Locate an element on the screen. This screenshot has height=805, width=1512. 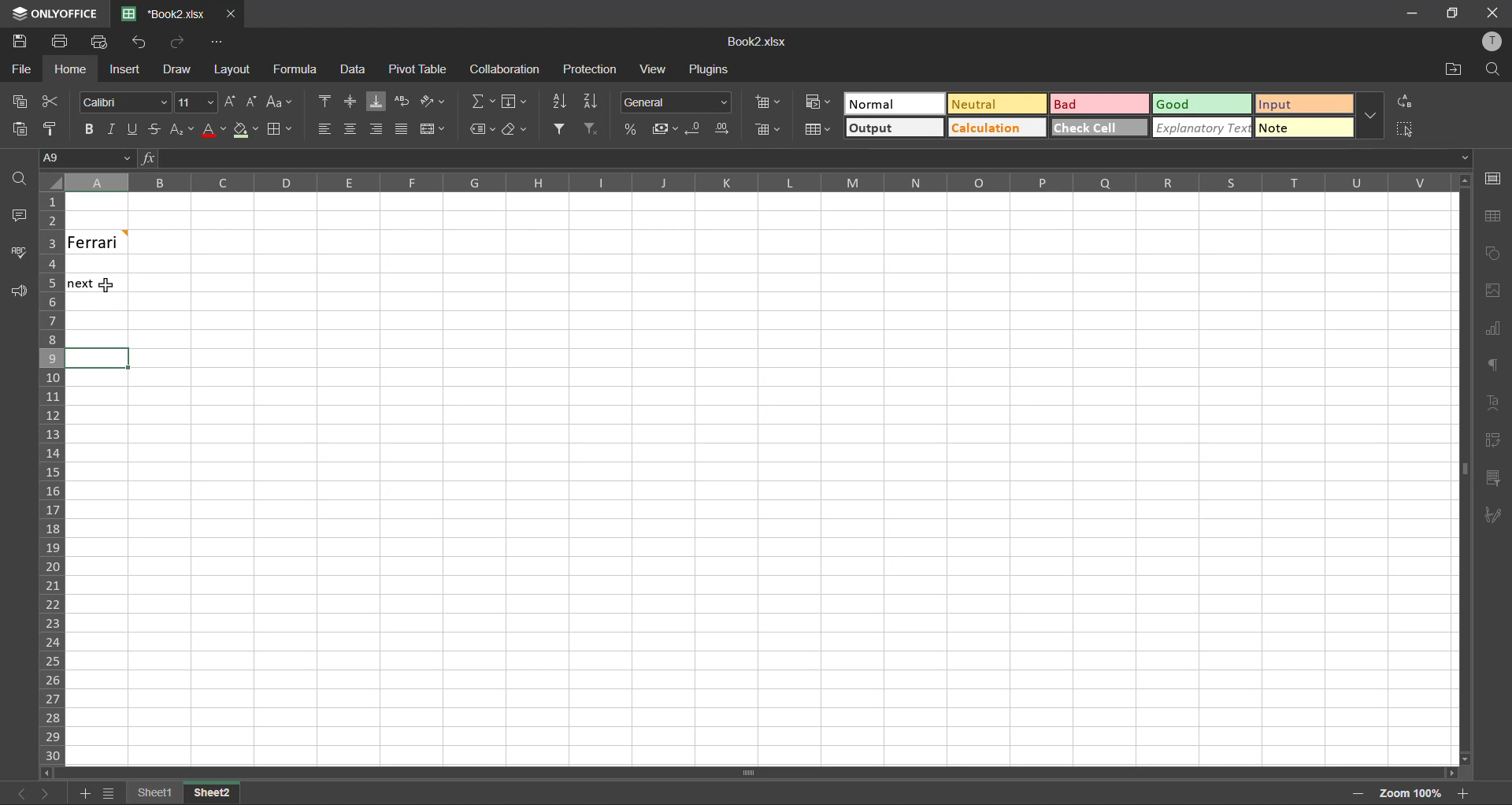
charts is located at coordinates (1492, 329).